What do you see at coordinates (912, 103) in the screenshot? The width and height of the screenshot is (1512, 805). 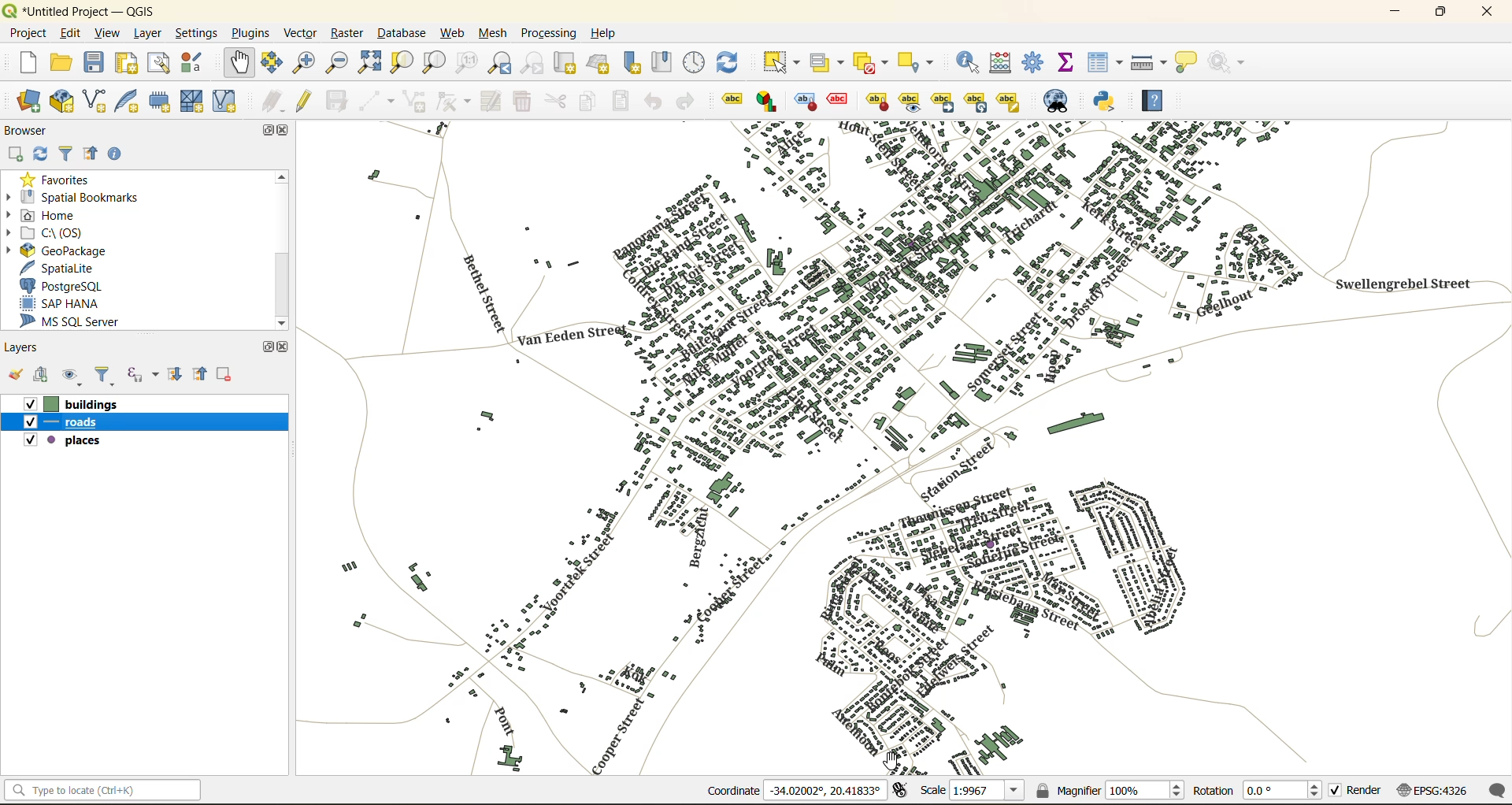 I see `show\hide labels and diagrams` at bounding box center [912, 103].